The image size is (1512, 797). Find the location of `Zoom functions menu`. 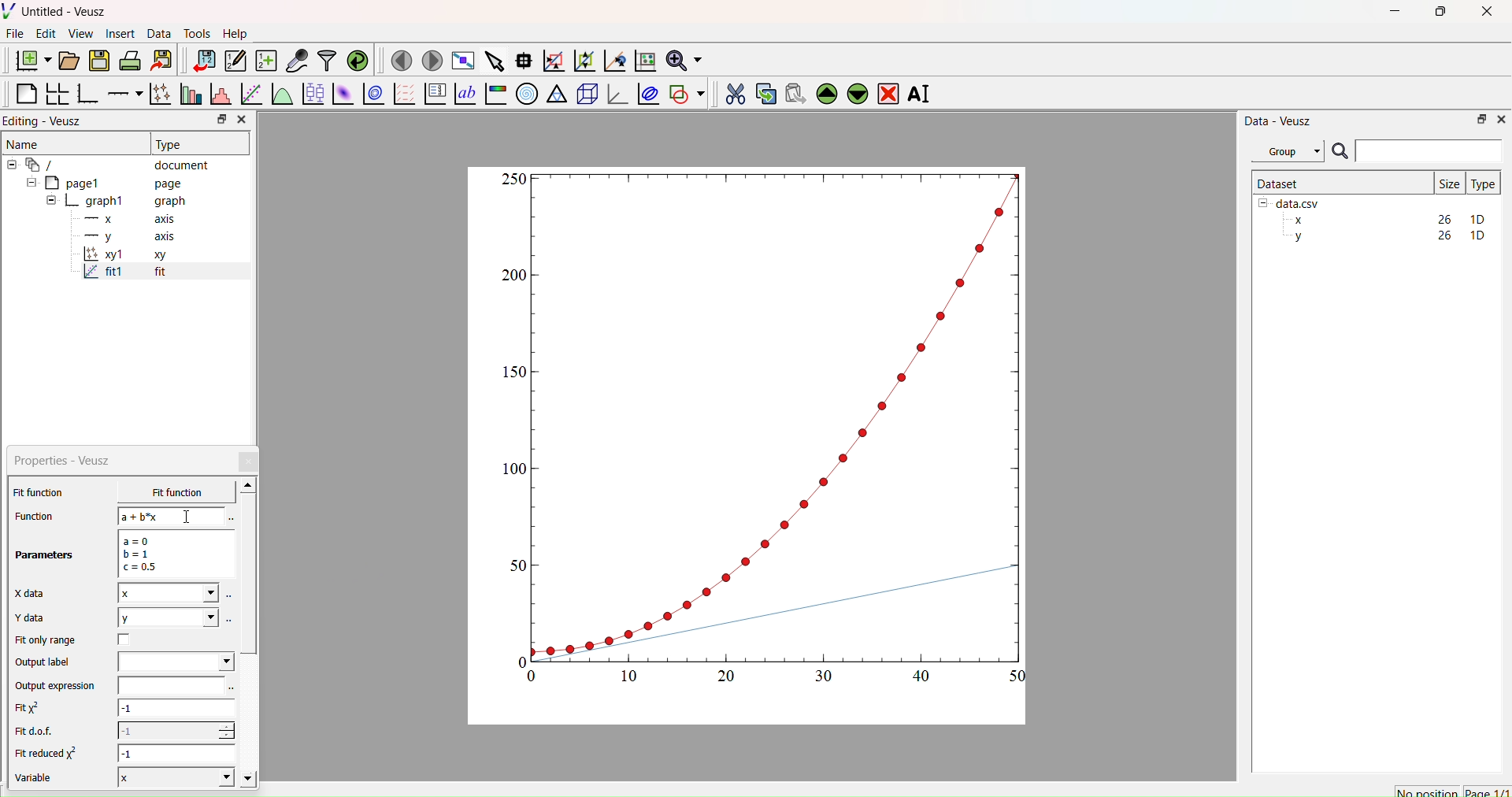

Zoom functions menu is located at coordinates (683, 58).